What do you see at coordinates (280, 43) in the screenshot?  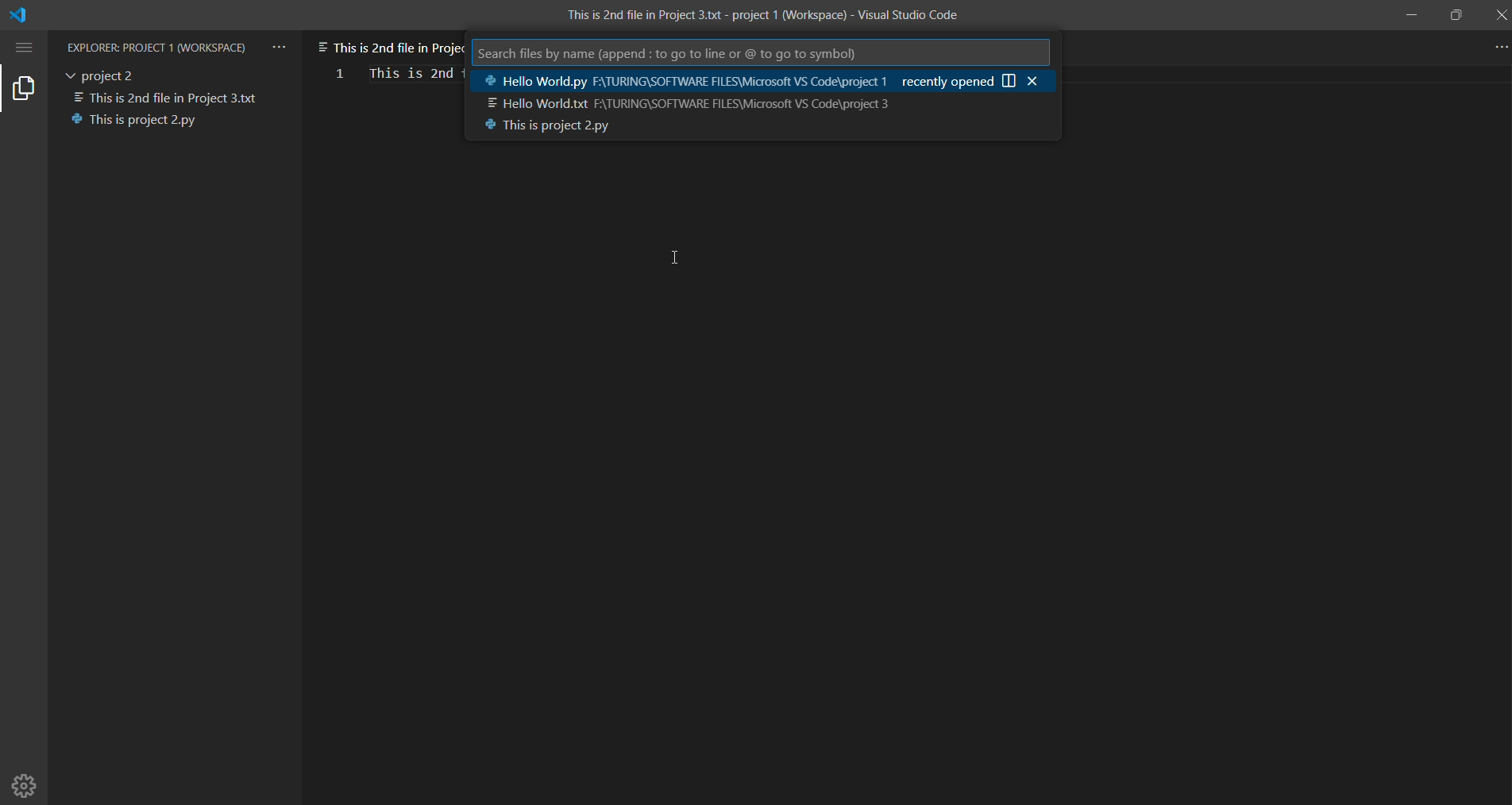 I see `views and more actions` at bounding box center [280, 43].